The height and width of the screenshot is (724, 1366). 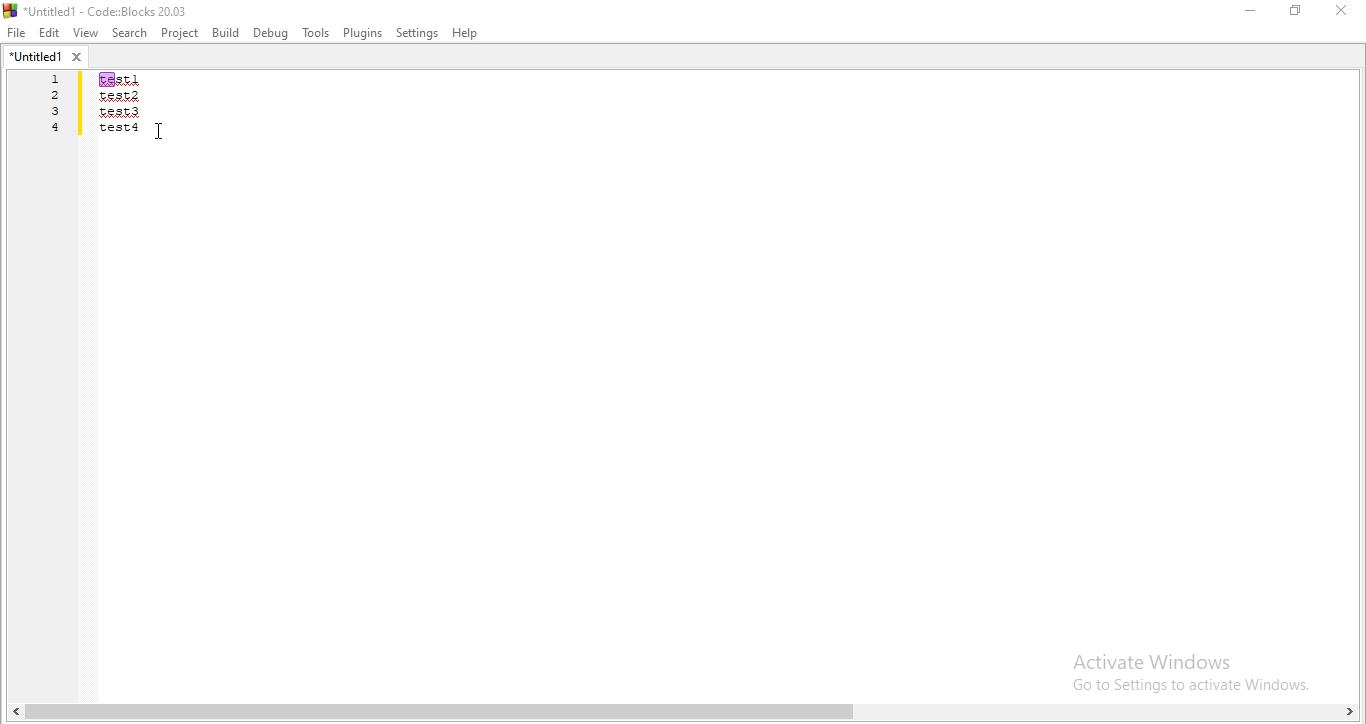 What do you see at coordinates (85, 33) in the screenshot?
I see `View ` at bounding box center [85, 33].